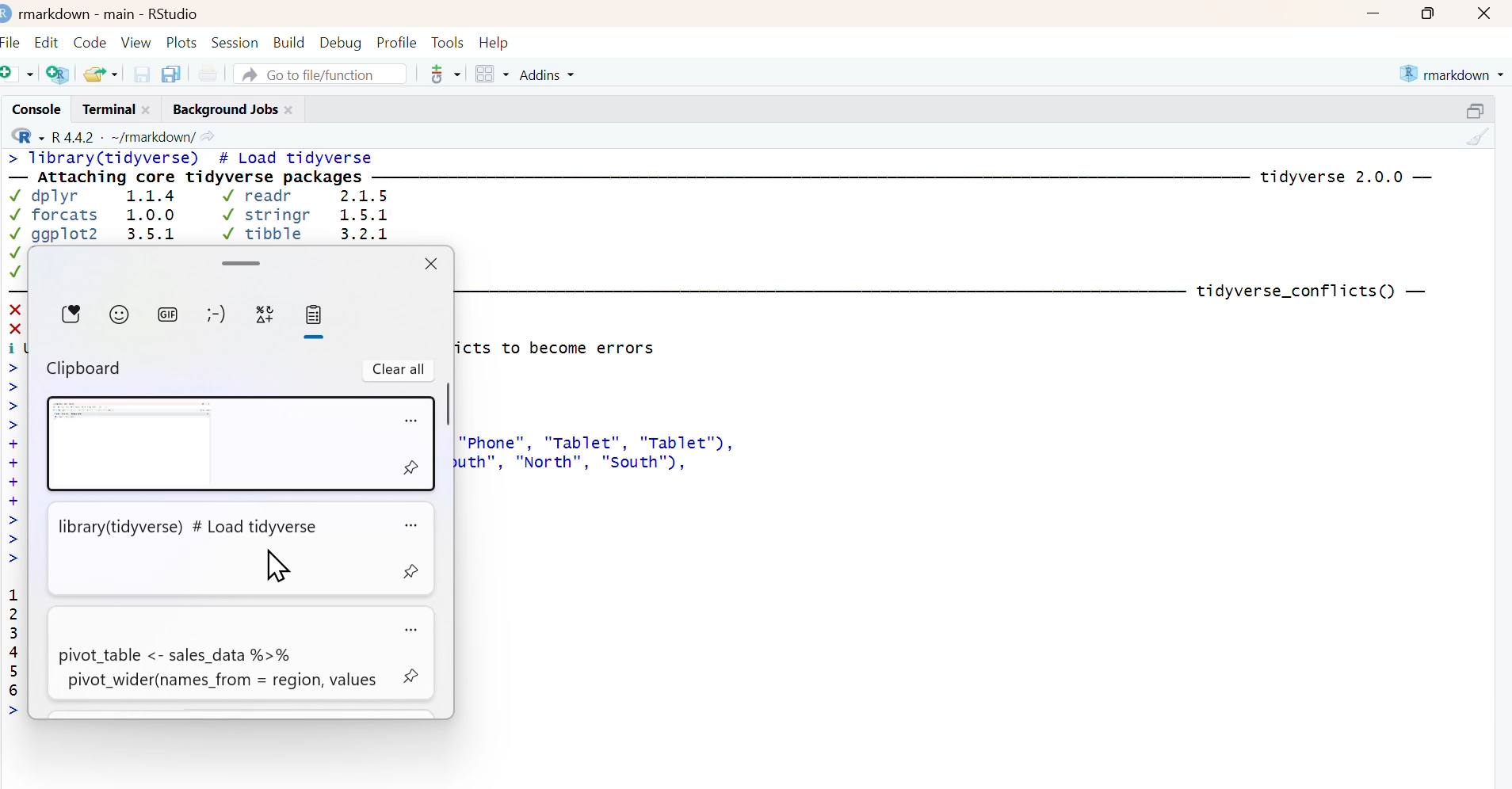  I want to click on Profile, so click(396, 40).